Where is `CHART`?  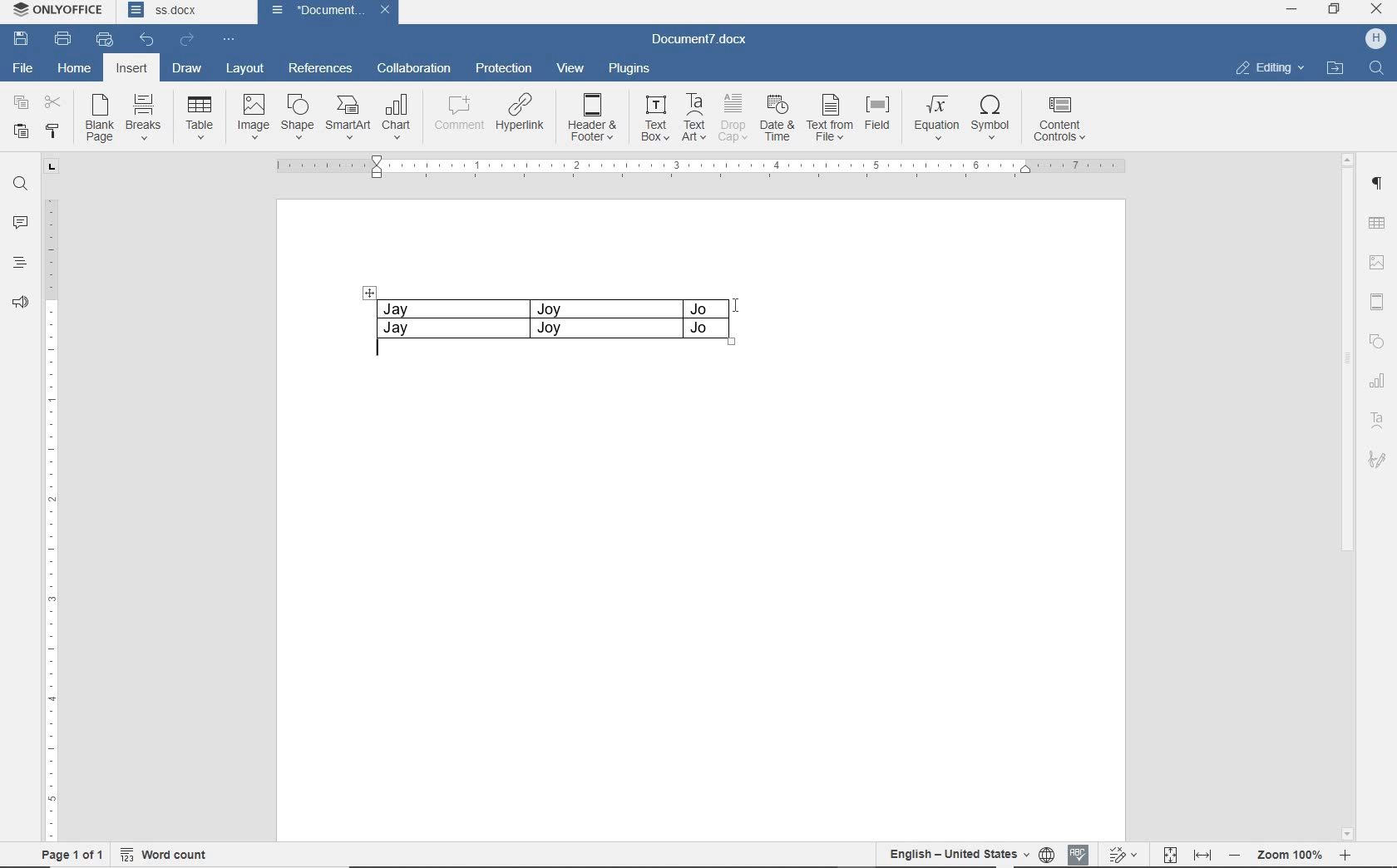 CHART is located at coordinates (1378, 382).